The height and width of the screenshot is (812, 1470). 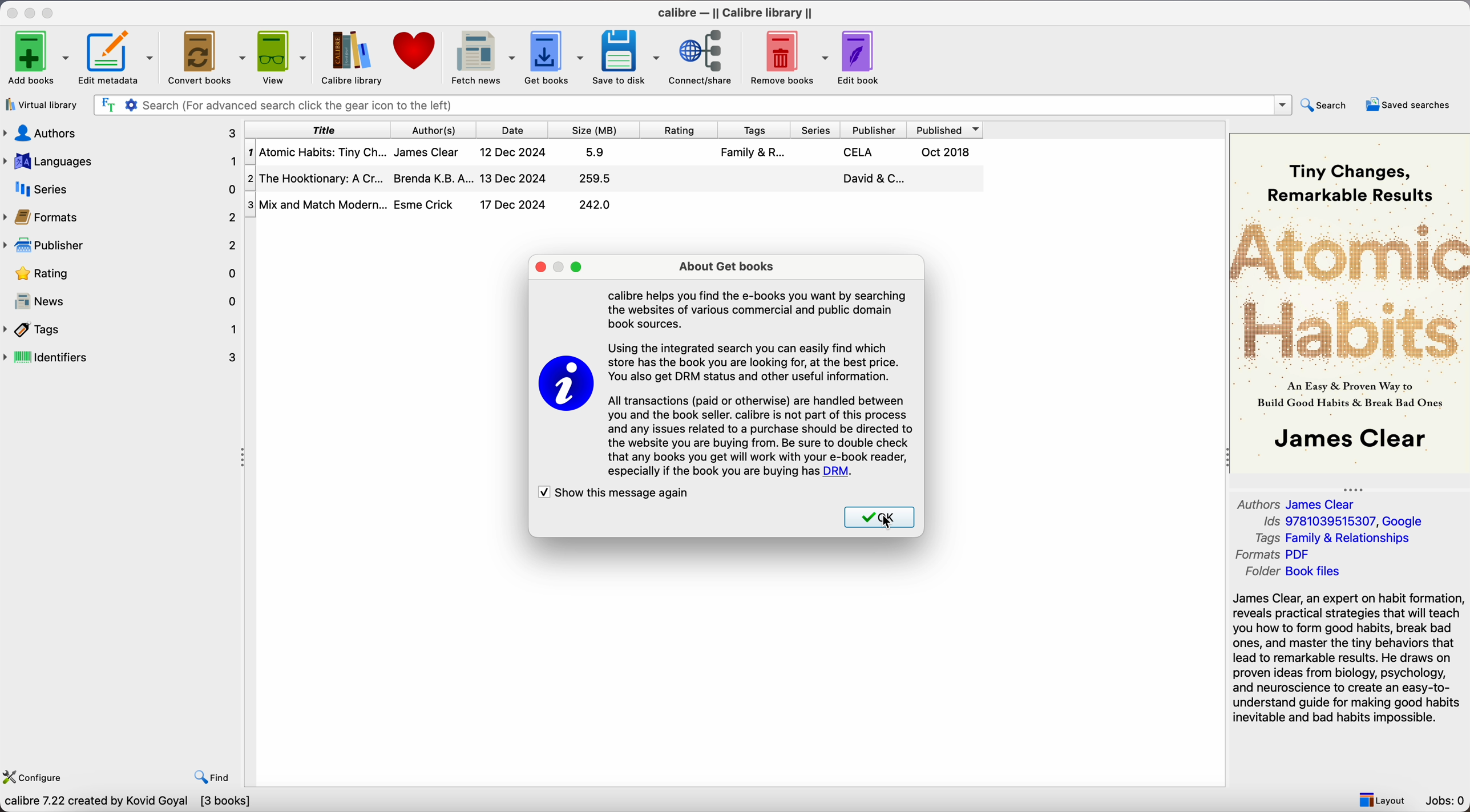 I want to click on close app, so click(x=11, y=12).